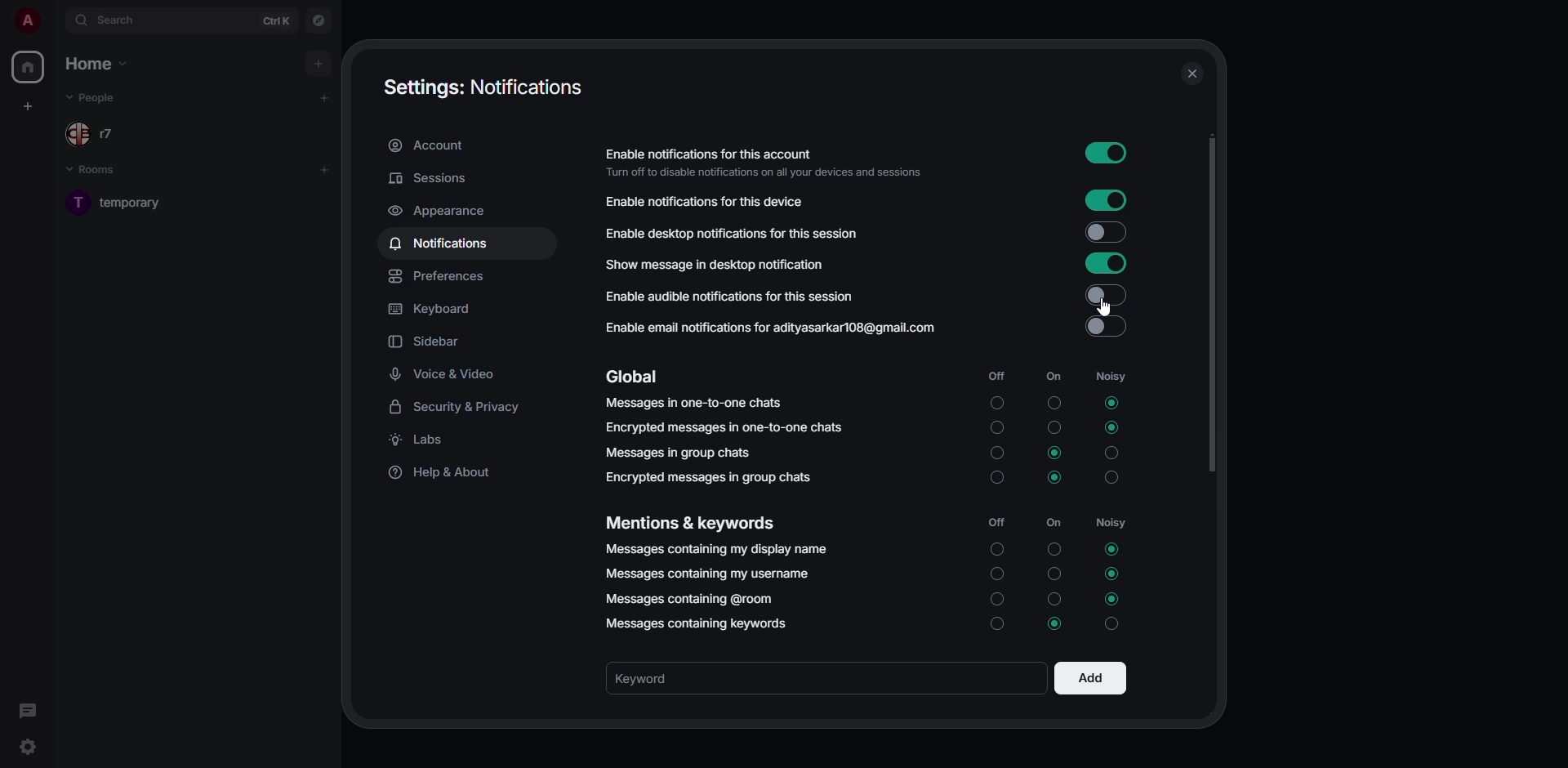 The width and height of the screenshot is (1568, 768). I want to click on click to enable, so click(1106, 233).